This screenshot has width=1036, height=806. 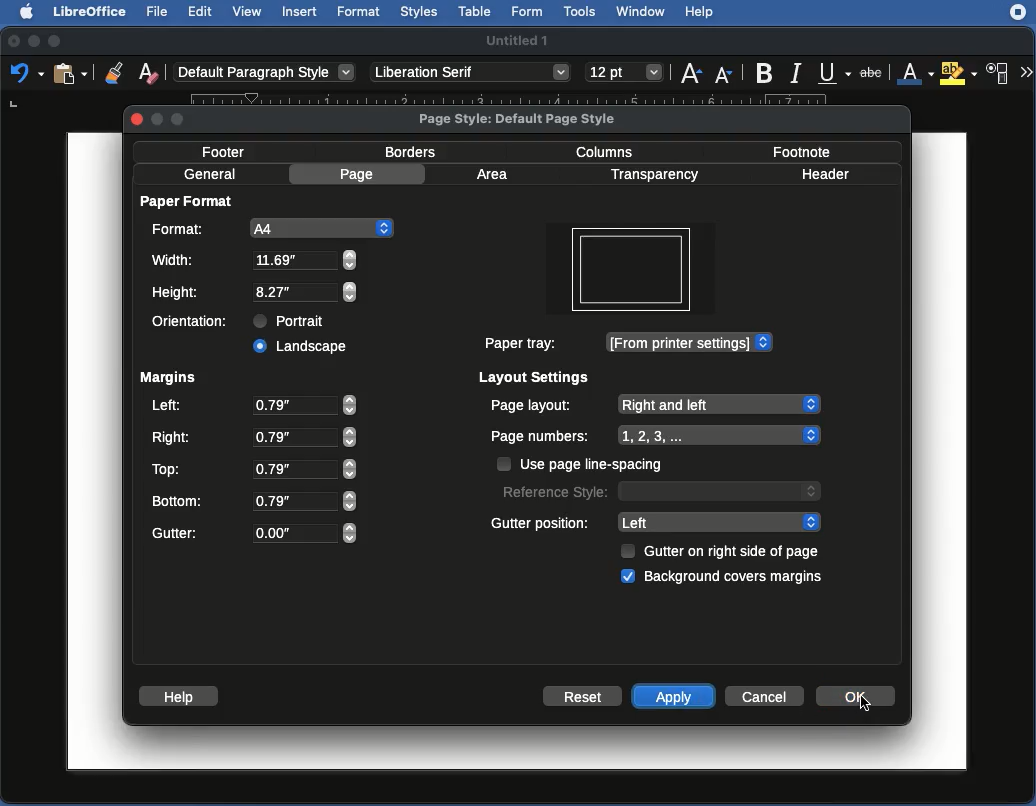 I want to click on Clicked, so click(x=300, y=347).